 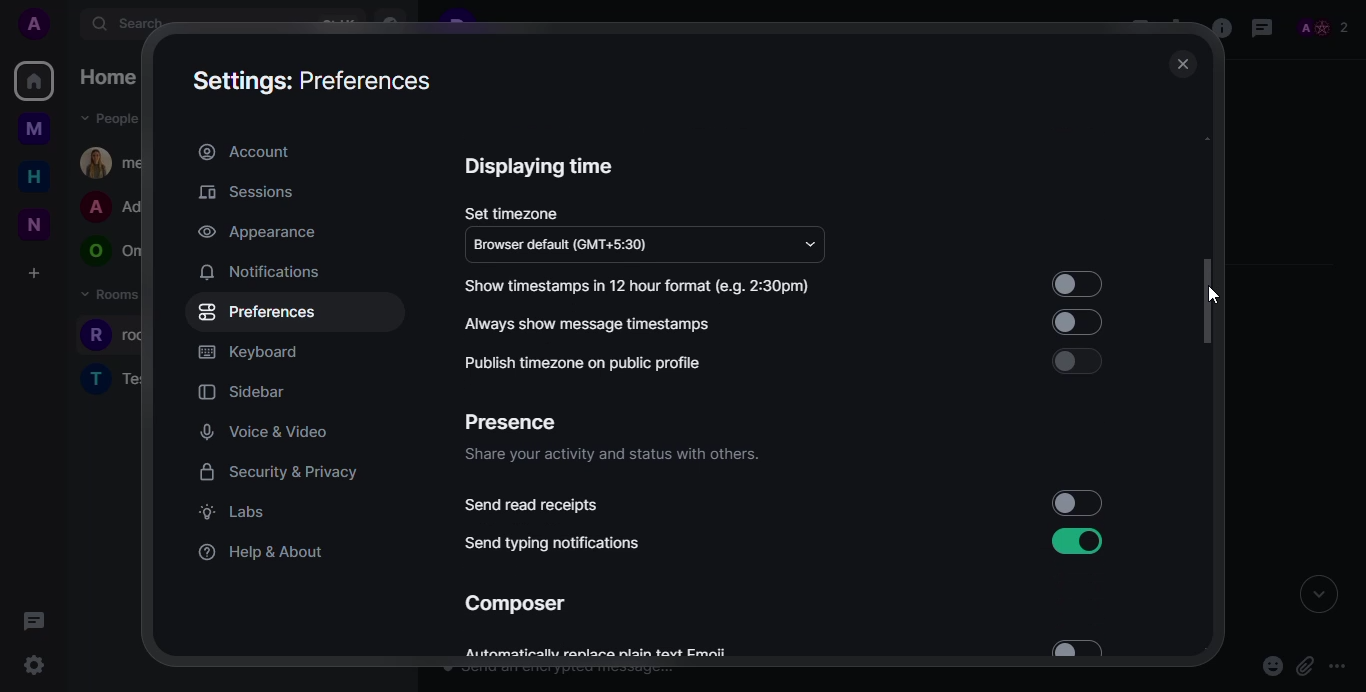 I want to click on threads, so click(x=1262, y=27).